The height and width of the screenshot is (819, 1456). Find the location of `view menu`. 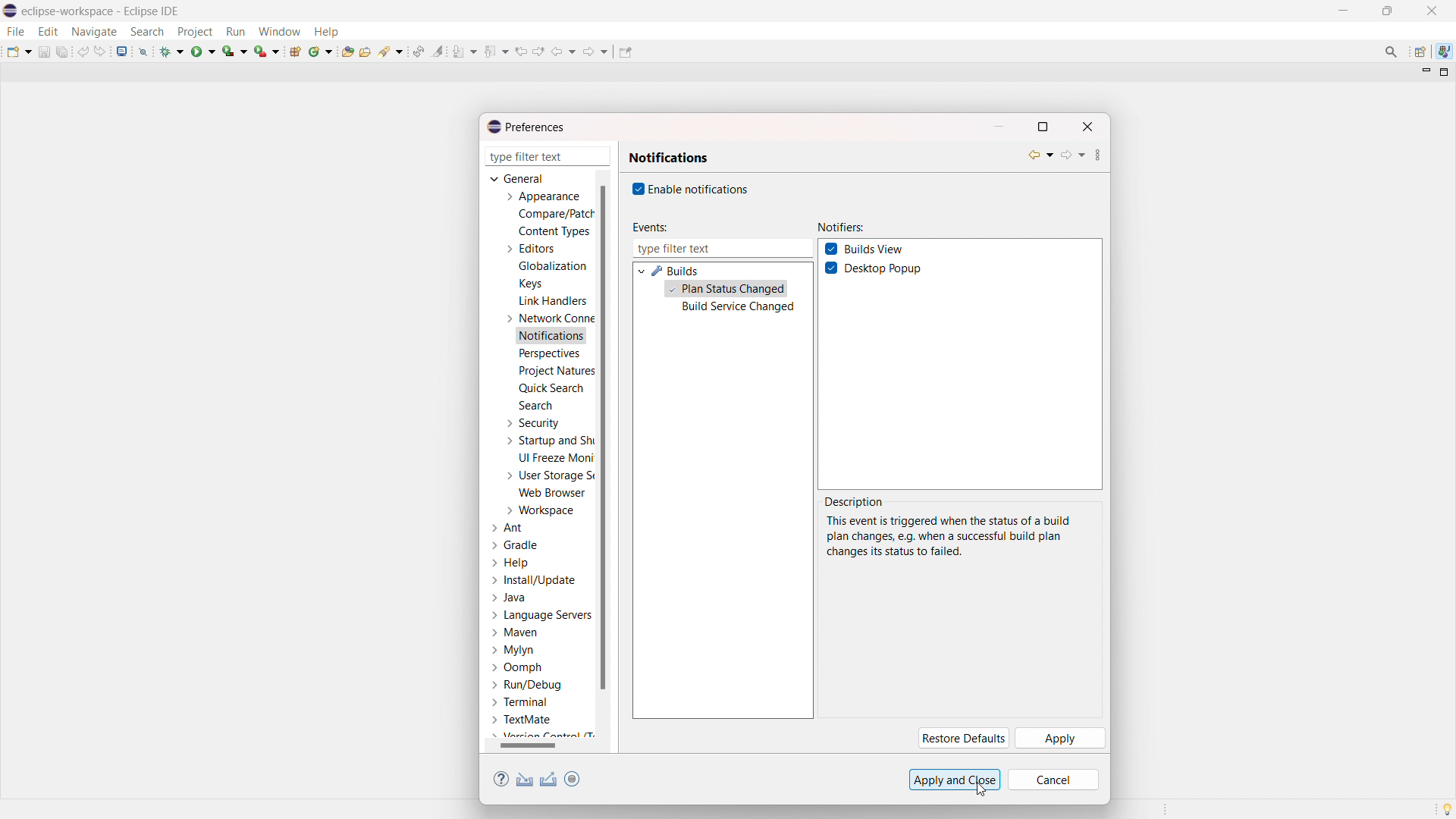

view menu is located at coordinates (1098, 157).